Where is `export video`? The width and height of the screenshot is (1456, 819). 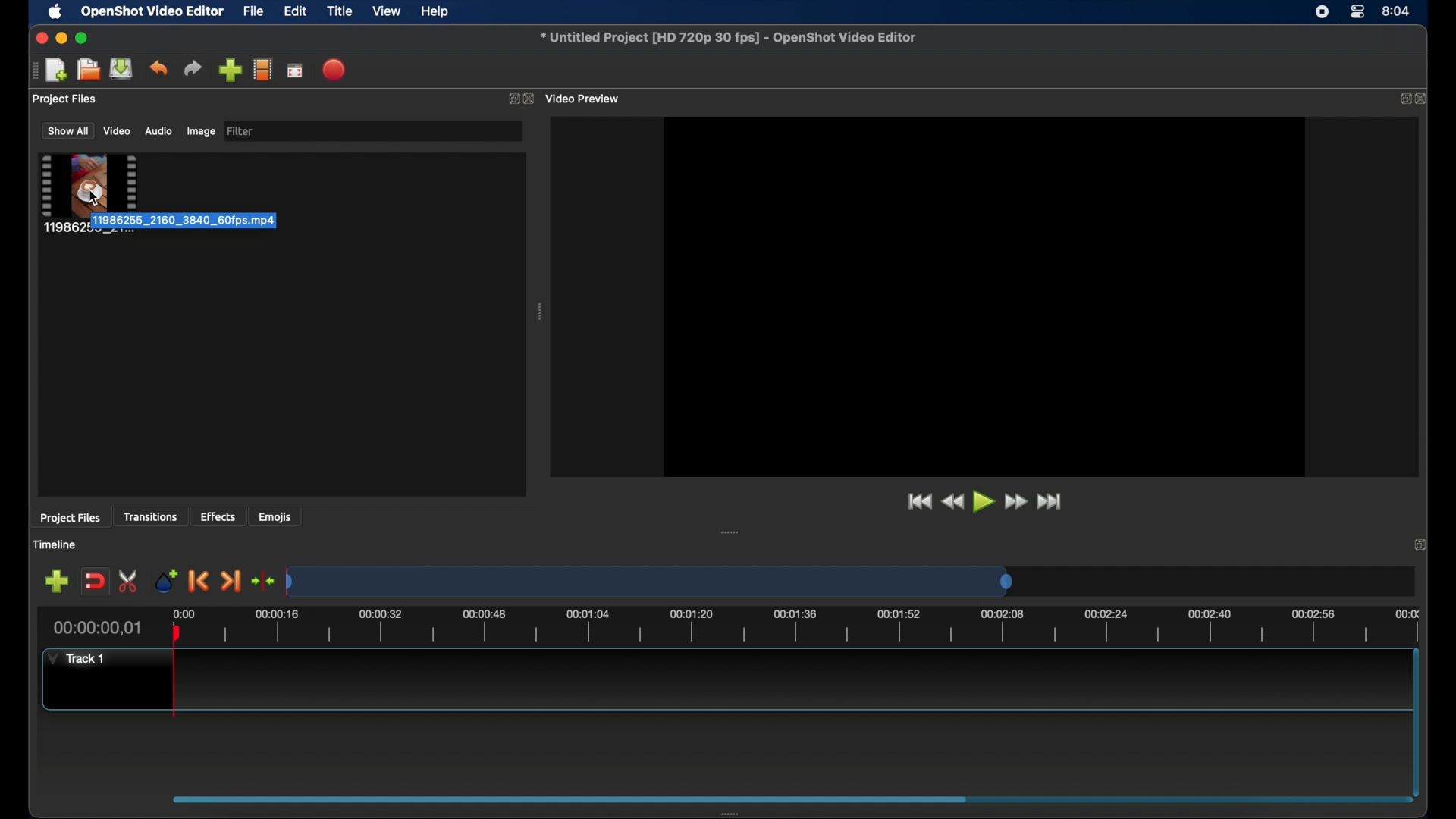
export video is located at coordinates (335, 70).